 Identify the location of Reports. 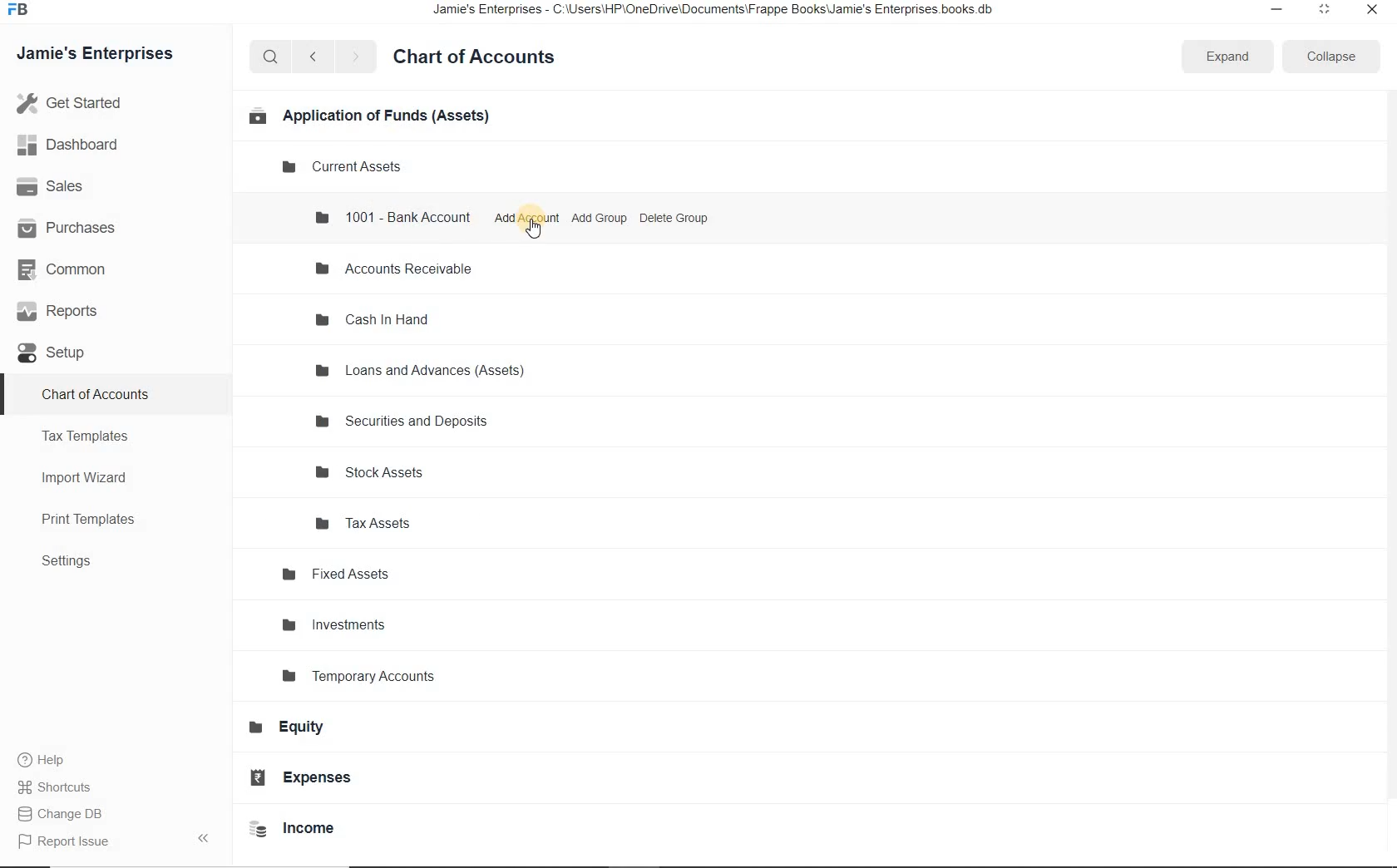
(74, 313).